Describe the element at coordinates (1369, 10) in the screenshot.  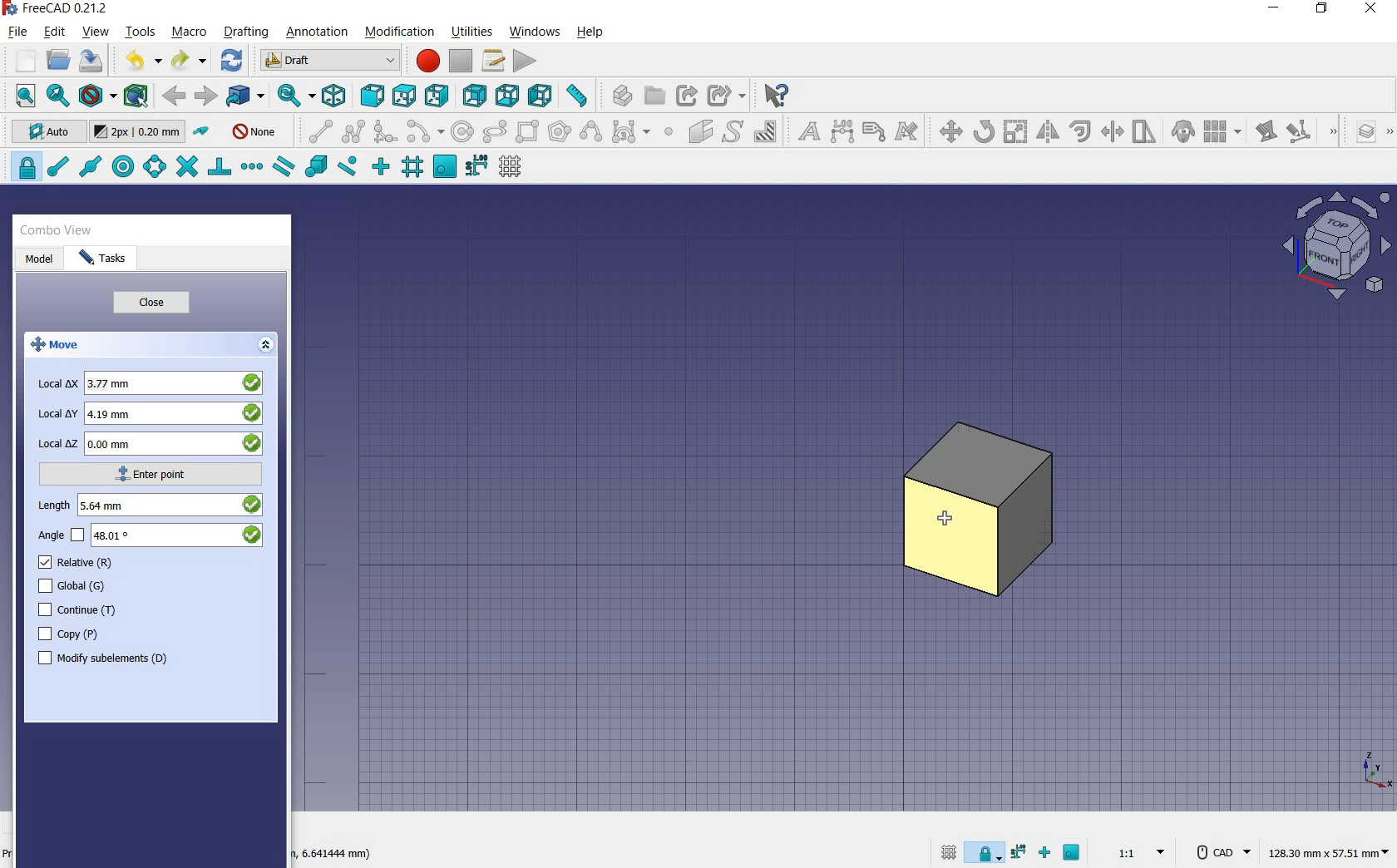
I see `close` at that location.